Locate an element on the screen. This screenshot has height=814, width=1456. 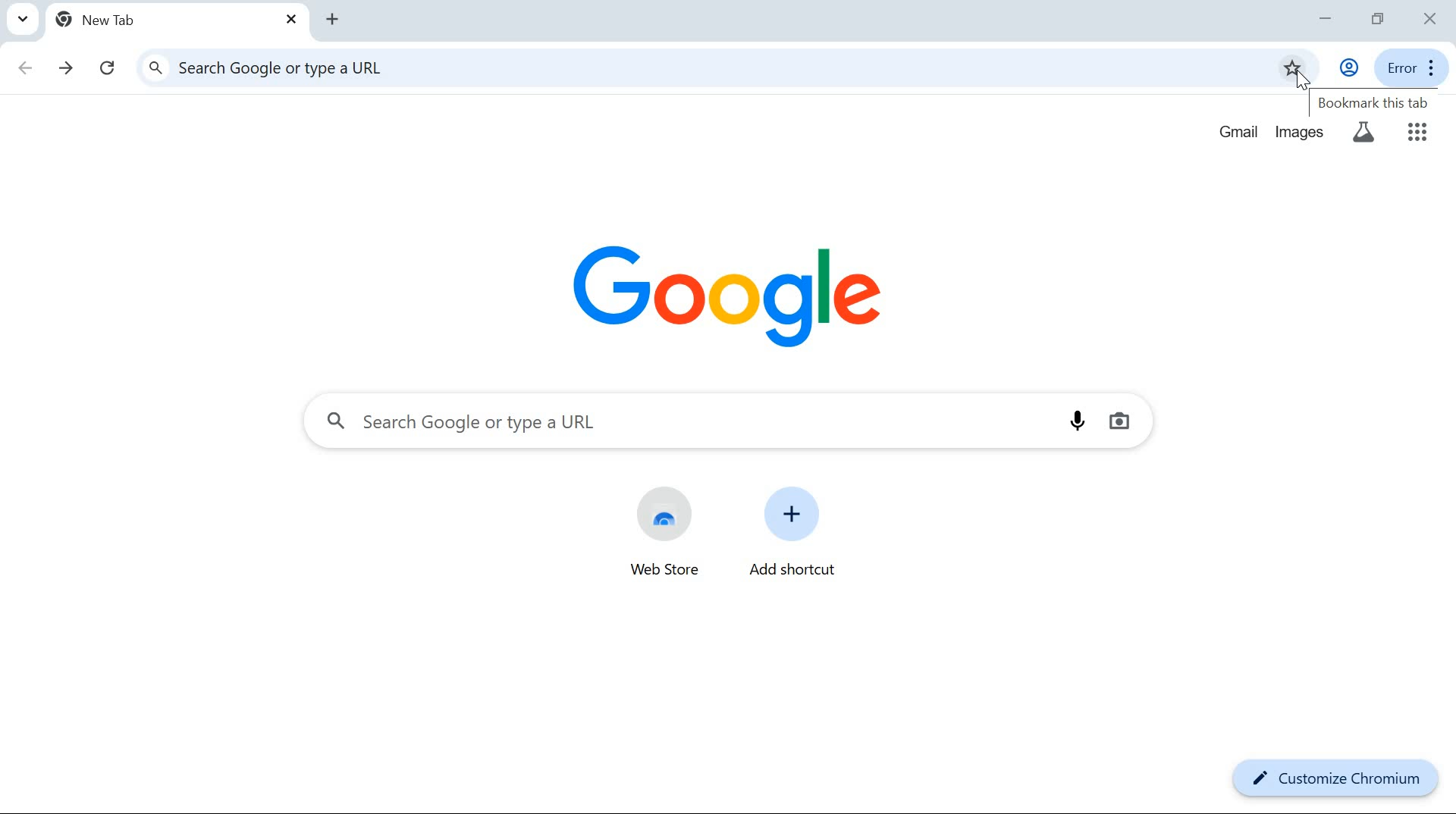
close is located at coordinates (291, 21).